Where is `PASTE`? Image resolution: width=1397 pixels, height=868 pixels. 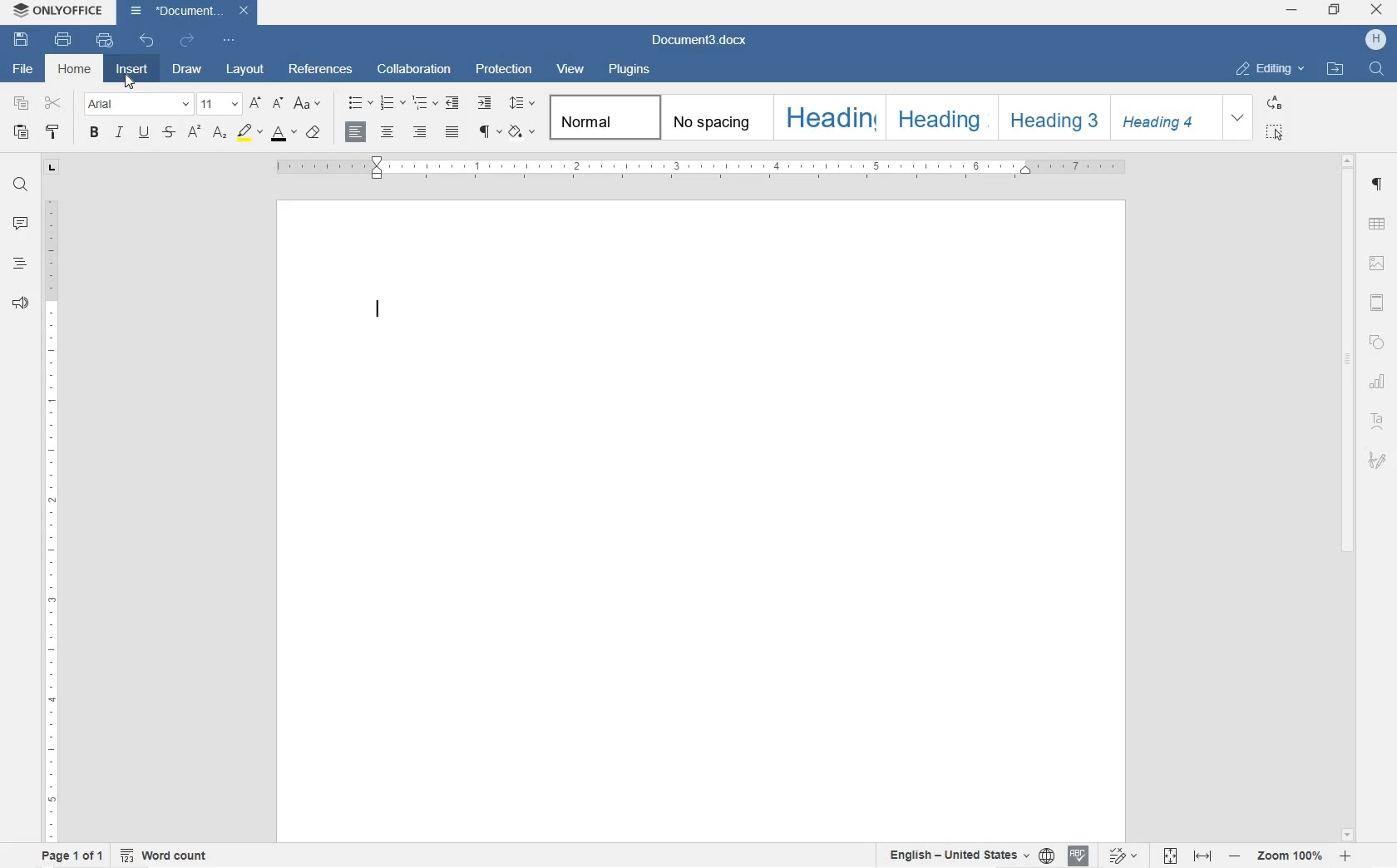
PASTE is located at coordinates (25, 133).